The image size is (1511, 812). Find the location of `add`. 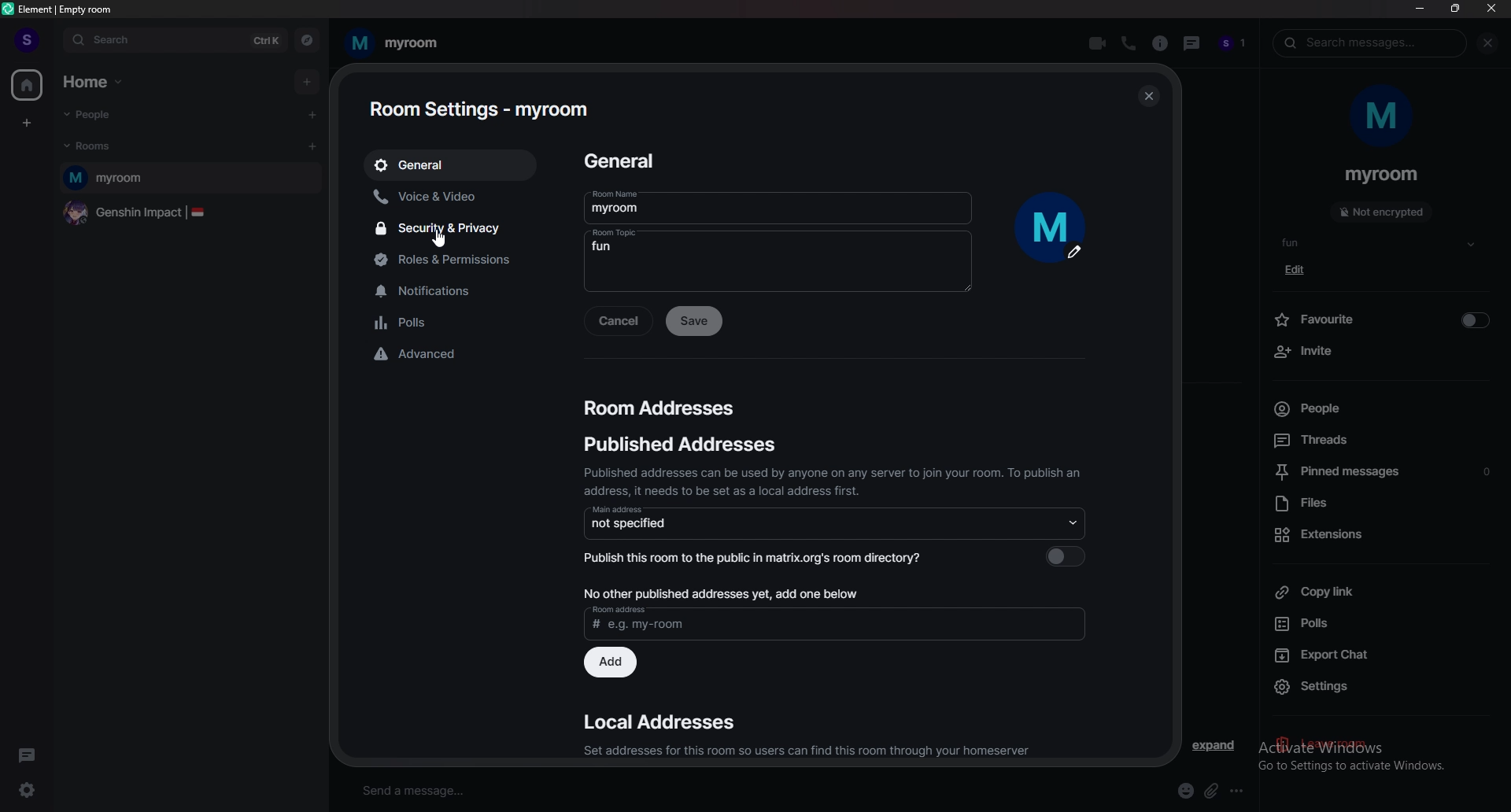

add is located at coordinates (308, 82).